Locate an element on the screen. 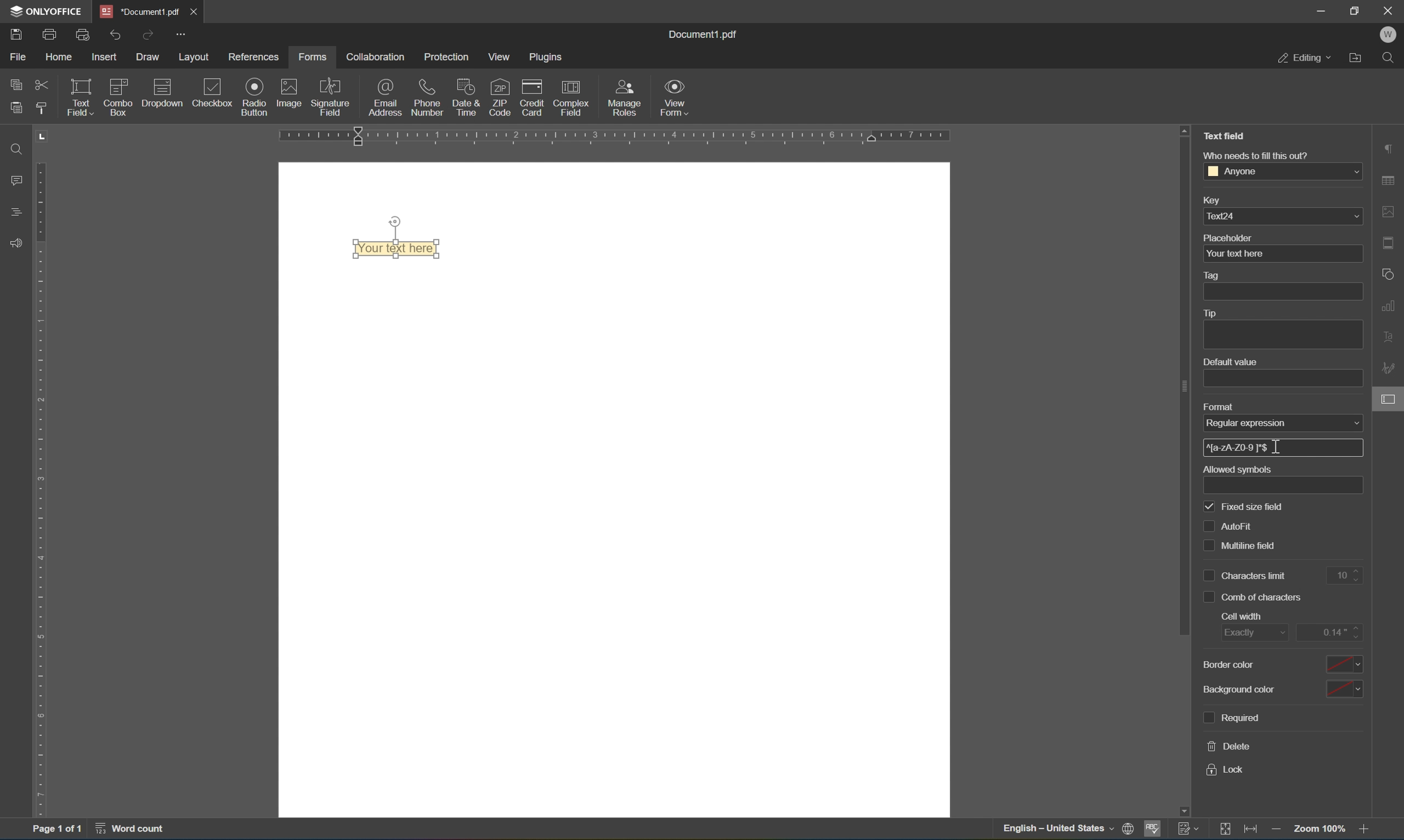 The height and width of the screenshot is (840, 1404). collaboration is located at coordinates (374, 57).